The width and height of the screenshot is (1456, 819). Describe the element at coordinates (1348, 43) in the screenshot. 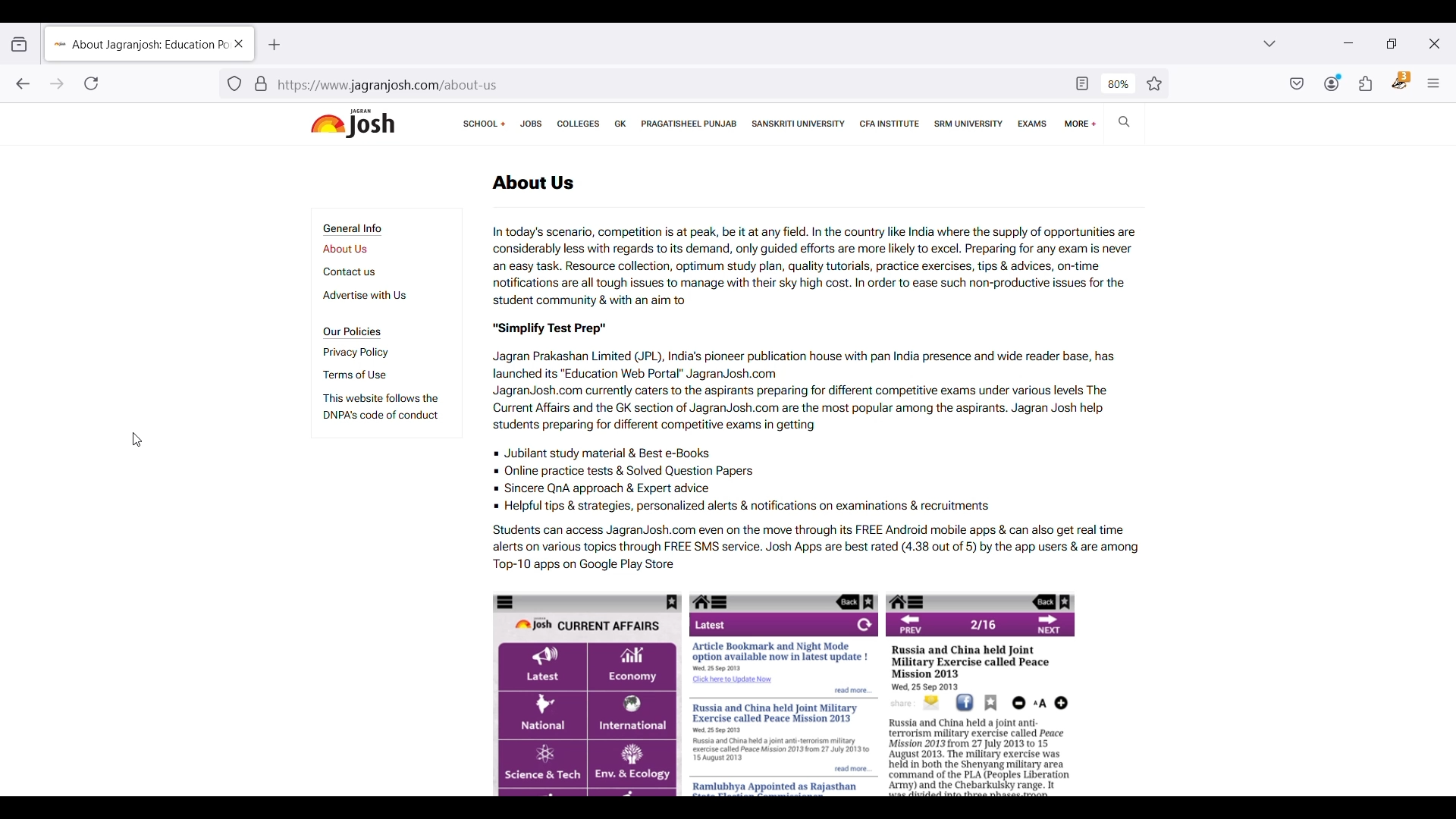

I see `Minimize` at that location.